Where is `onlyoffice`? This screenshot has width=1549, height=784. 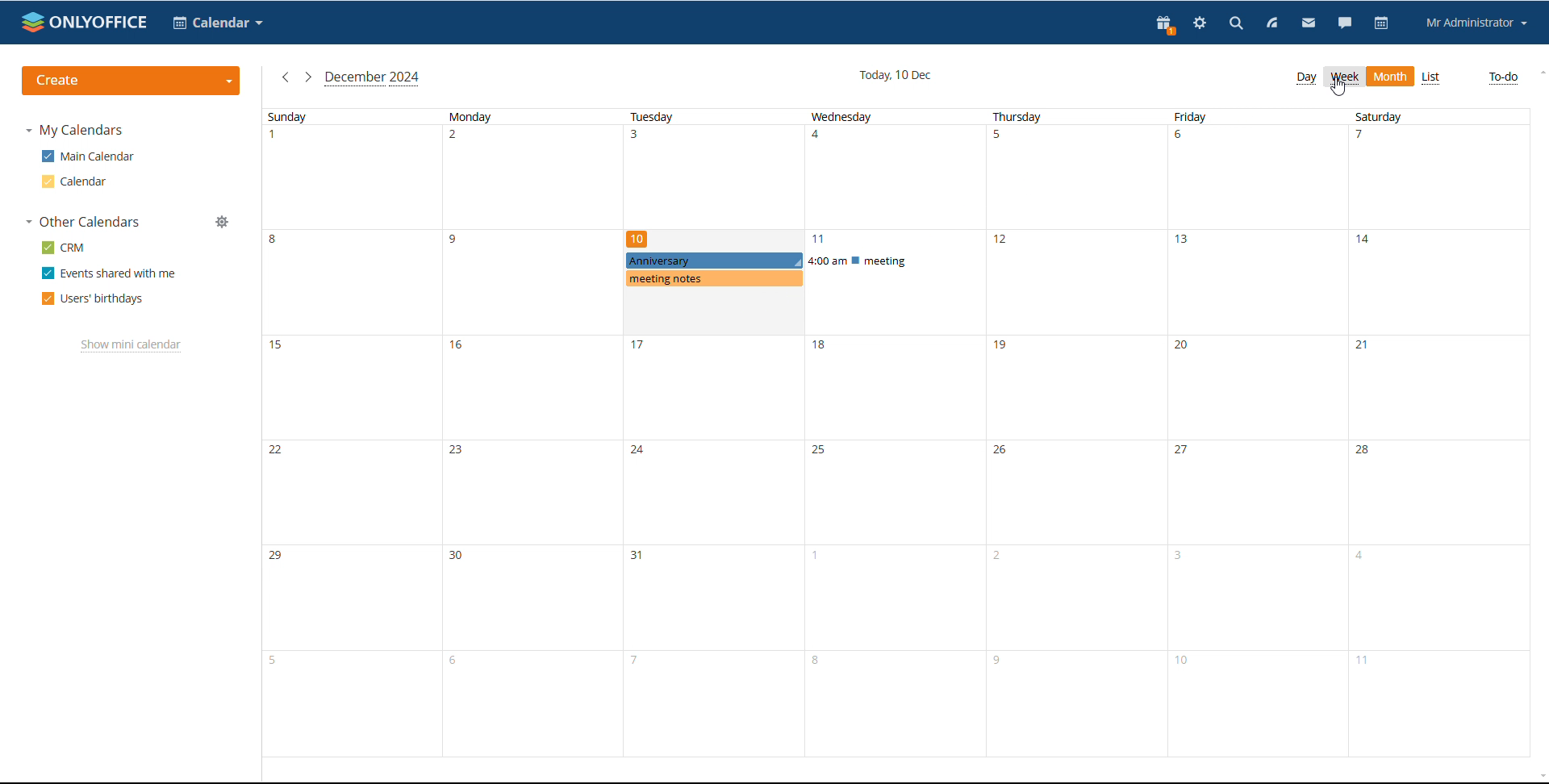 onlyoffice is located at coordinates (86, 22).